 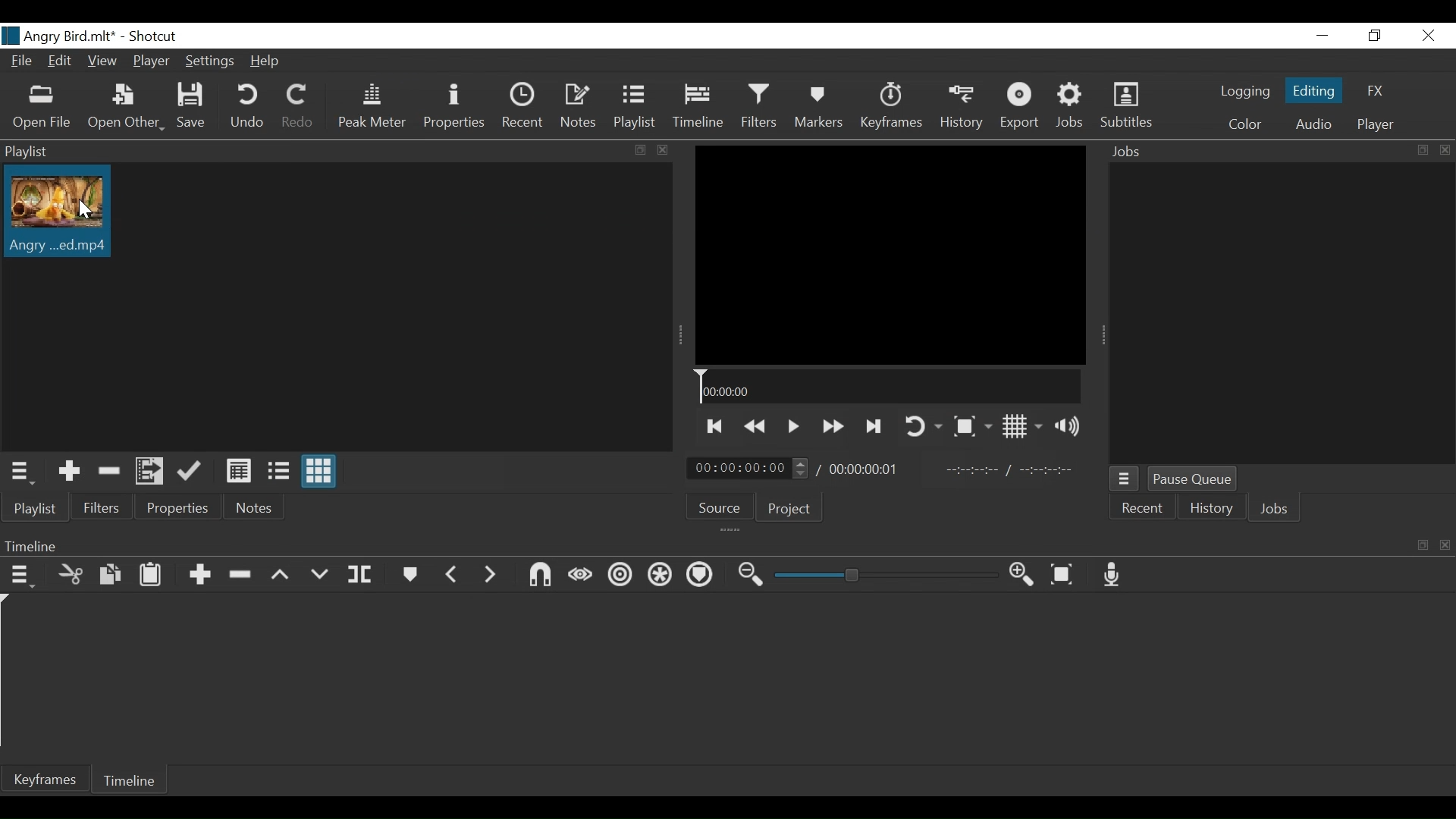 I want to click on Jobs Panel, so click(x=1281, y=312).